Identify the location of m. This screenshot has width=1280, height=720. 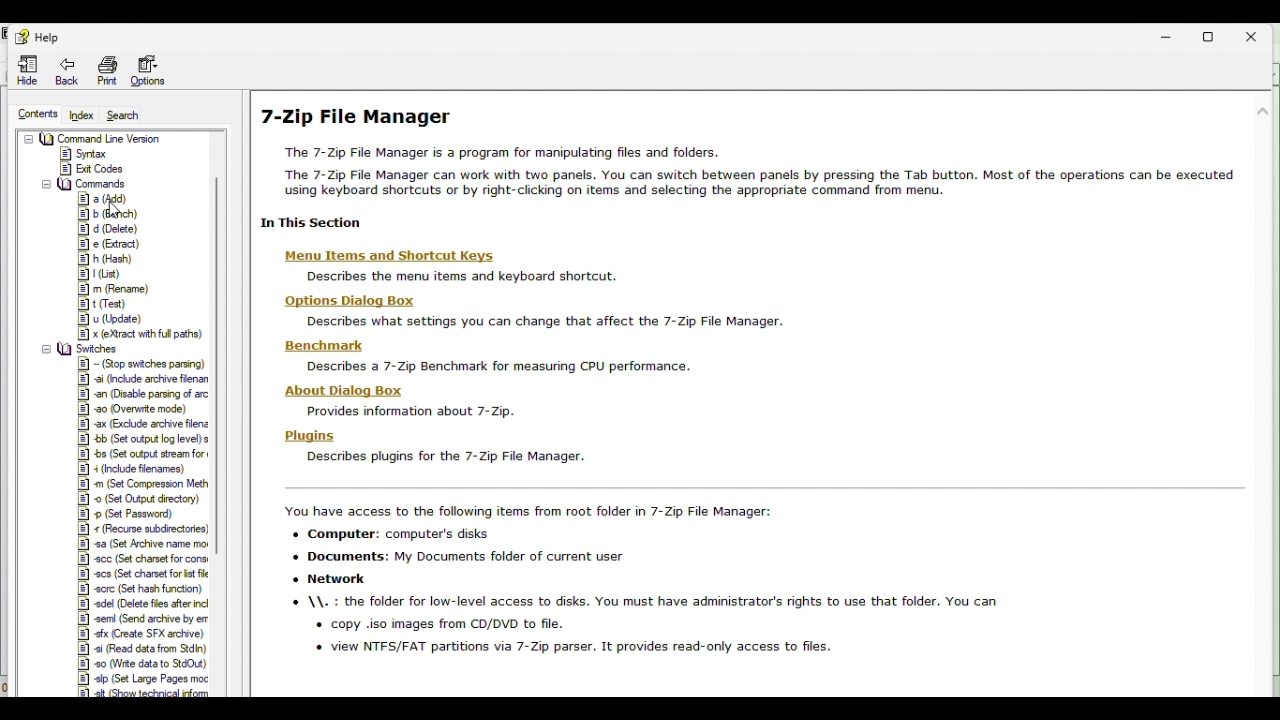
(118, 289).